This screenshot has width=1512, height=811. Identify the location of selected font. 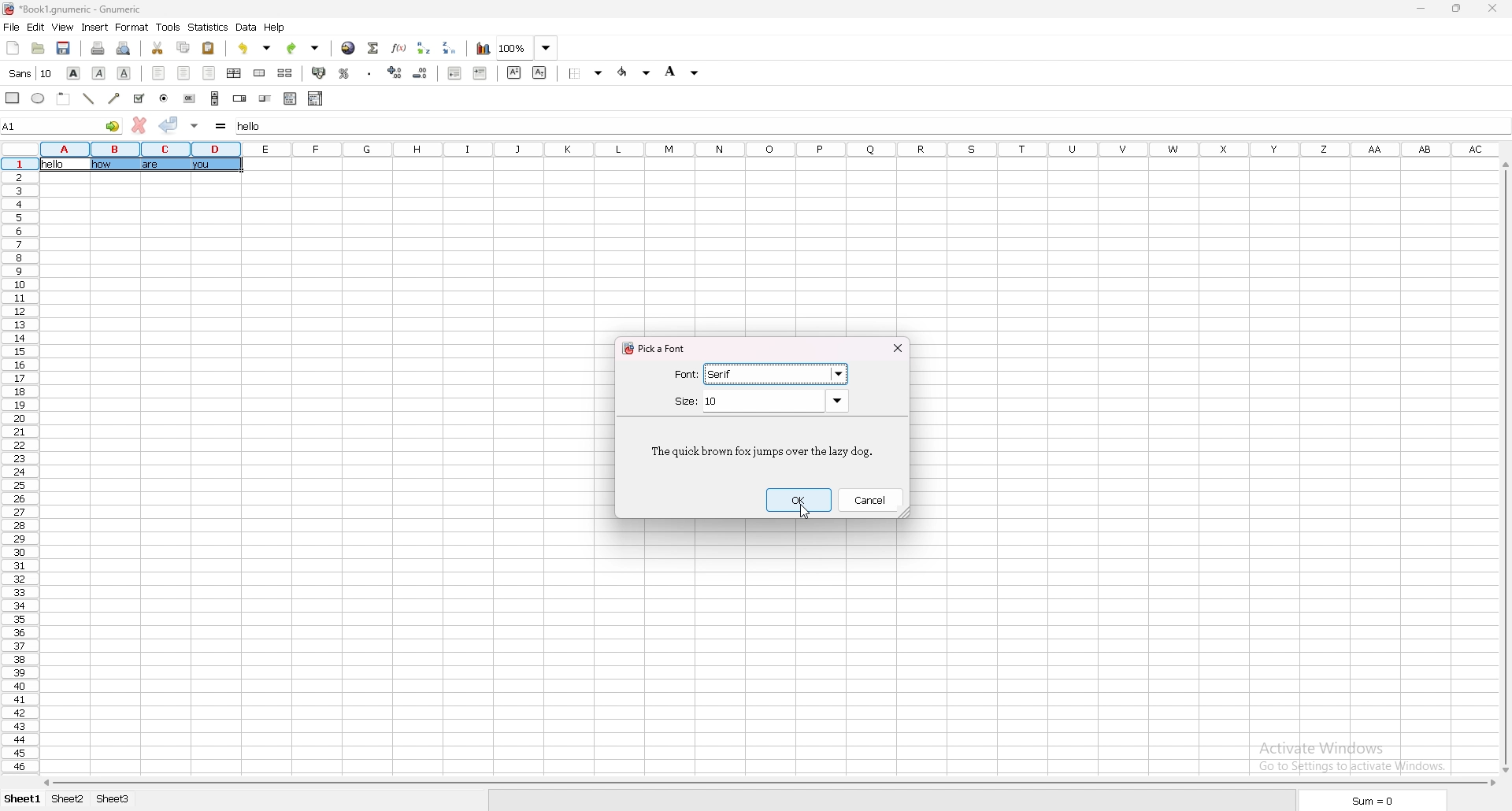
(758, 372).